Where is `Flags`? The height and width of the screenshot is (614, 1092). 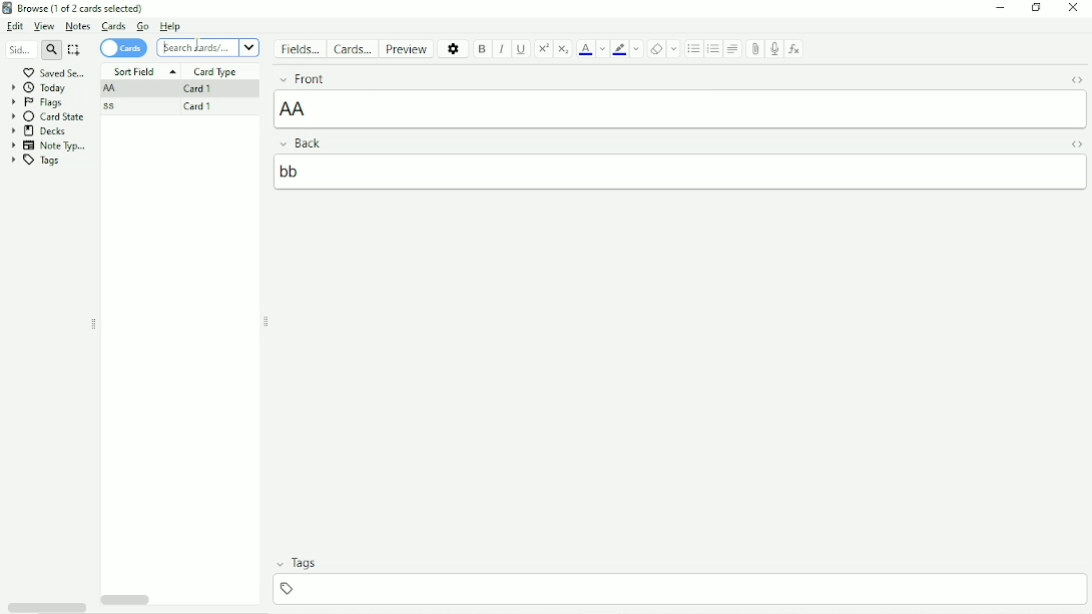
Flags is located at coordinates (37, 102).